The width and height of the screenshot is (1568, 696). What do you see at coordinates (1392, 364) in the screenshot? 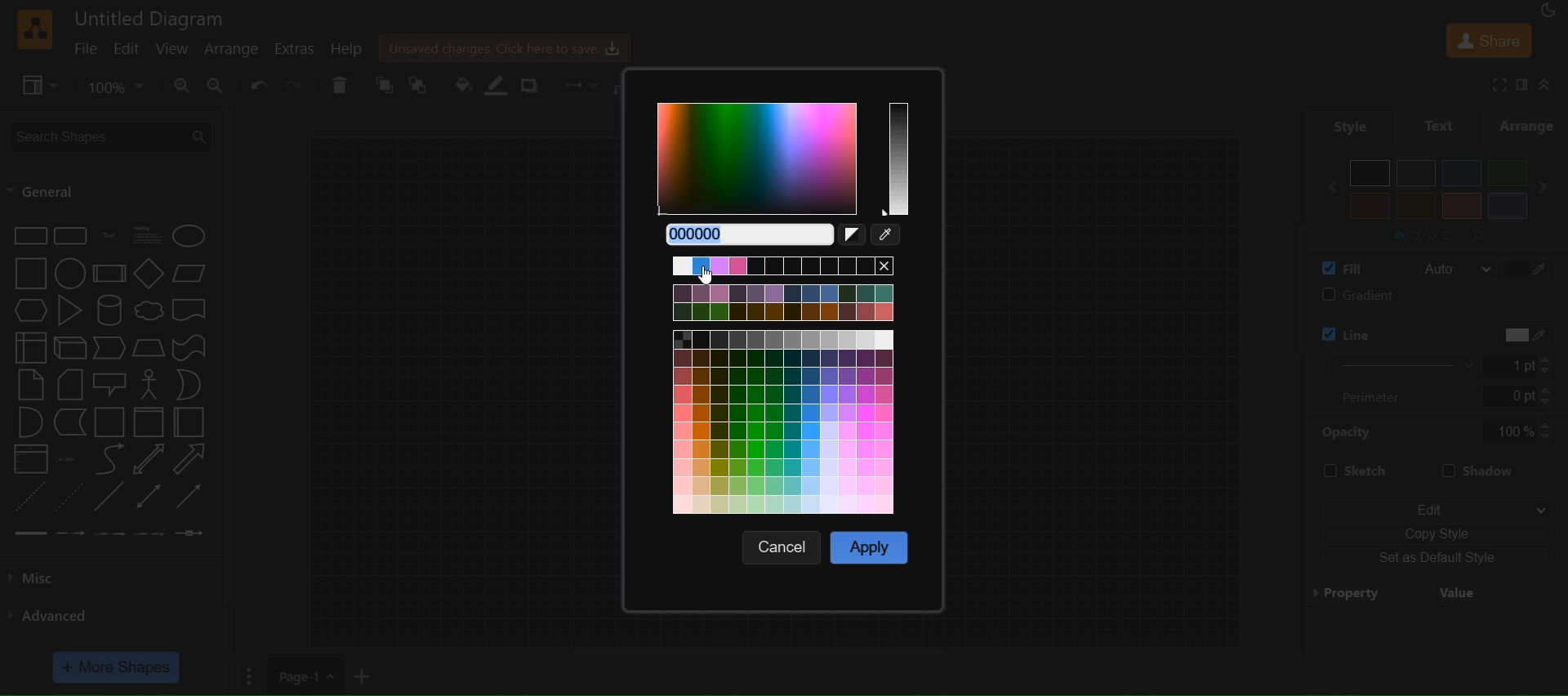
I see `line thickness` at bounding box center [1392, 364].